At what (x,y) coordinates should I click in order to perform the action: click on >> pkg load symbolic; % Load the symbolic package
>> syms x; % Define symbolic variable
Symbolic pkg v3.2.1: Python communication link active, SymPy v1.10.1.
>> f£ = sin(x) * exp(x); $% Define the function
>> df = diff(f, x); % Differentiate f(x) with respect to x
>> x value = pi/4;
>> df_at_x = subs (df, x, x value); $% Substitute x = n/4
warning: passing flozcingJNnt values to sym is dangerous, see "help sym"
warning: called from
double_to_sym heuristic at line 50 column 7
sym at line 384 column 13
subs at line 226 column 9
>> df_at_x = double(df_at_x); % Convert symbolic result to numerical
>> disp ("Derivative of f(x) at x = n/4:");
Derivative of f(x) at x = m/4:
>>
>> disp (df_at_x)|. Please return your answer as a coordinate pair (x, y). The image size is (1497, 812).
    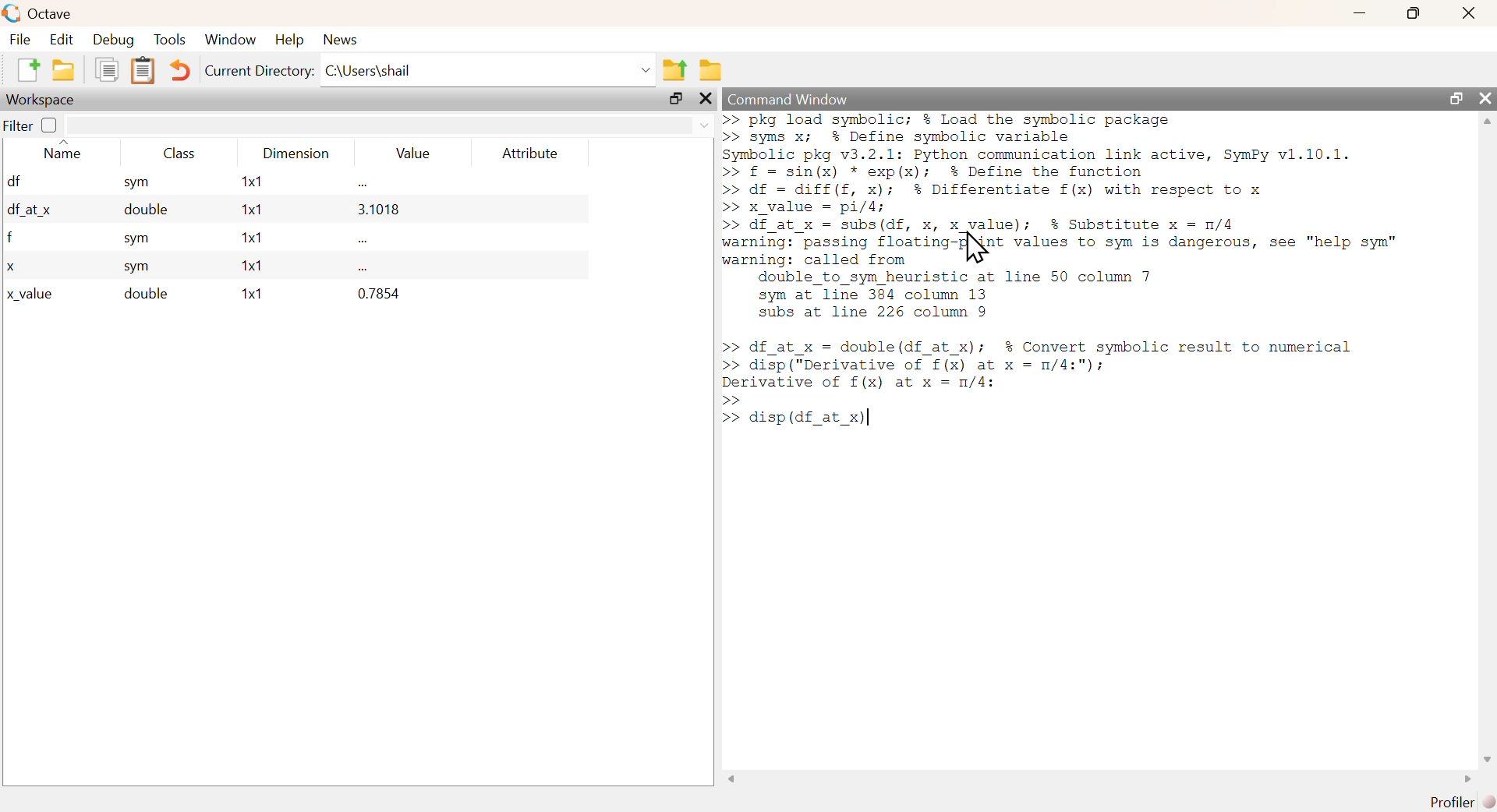
    Looking at the image, I should click on (1088, 292).